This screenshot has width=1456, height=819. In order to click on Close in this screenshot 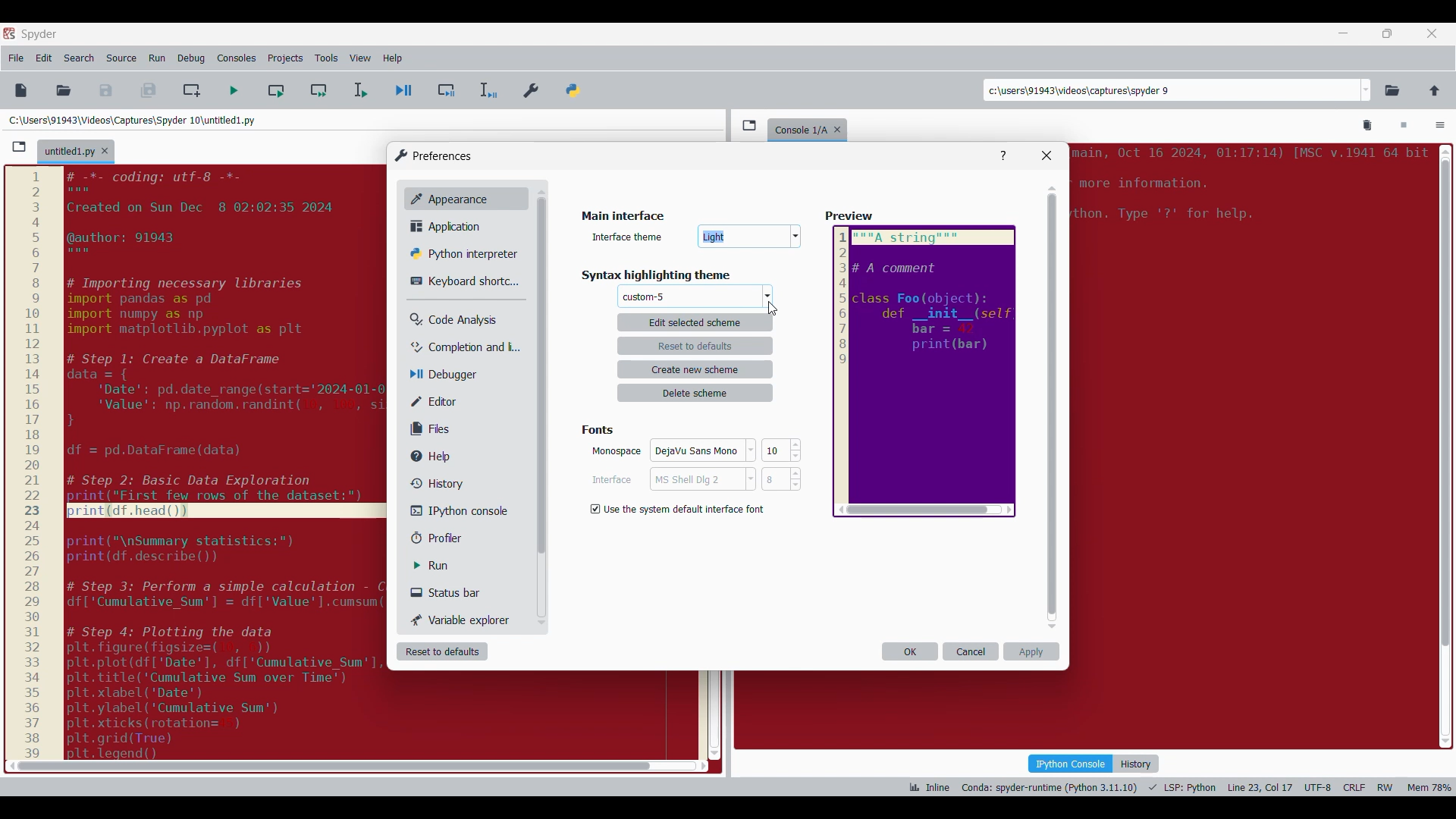, I will do `click(1046, 155)`.